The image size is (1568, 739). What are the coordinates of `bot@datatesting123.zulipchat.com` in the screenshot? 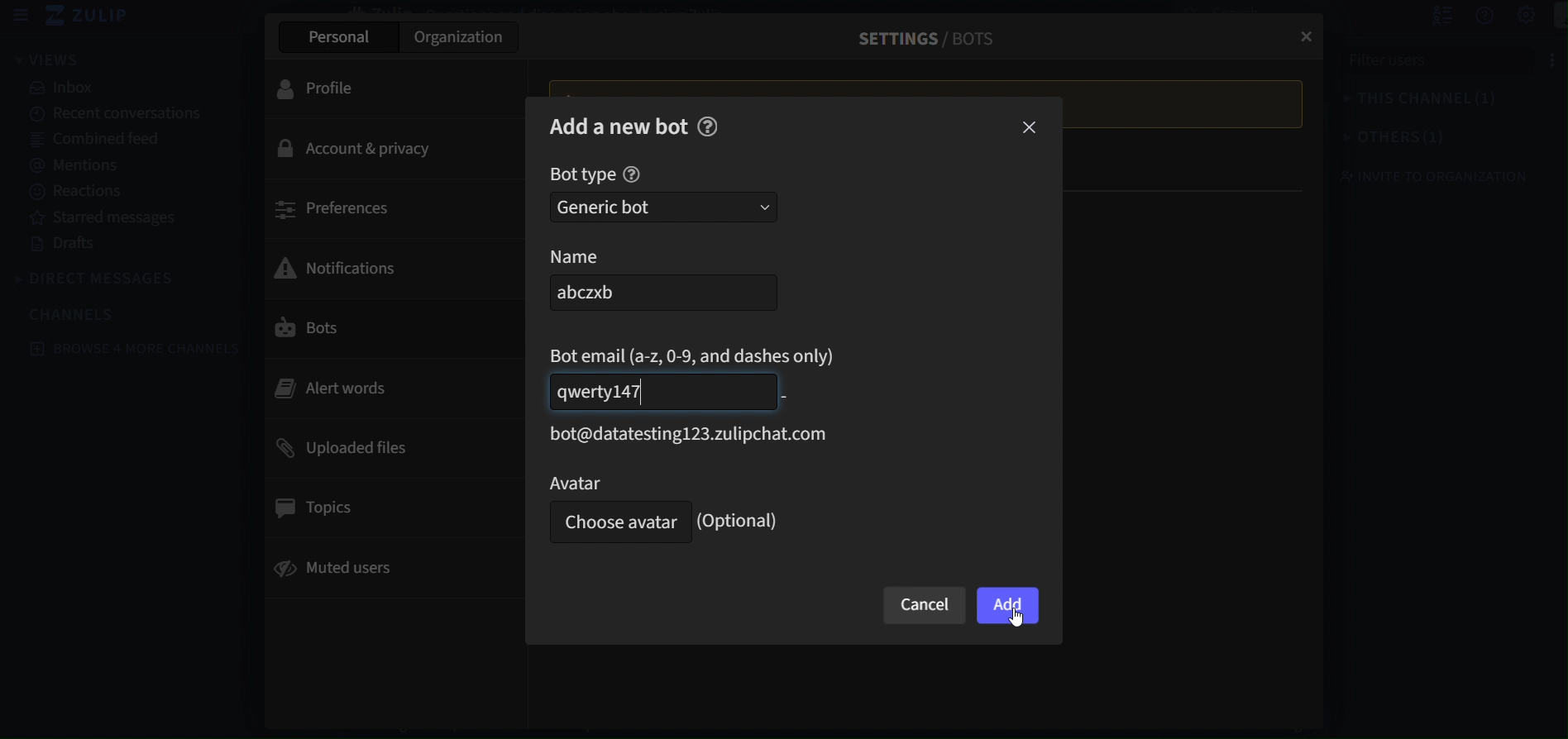 It's located at (683, 435).